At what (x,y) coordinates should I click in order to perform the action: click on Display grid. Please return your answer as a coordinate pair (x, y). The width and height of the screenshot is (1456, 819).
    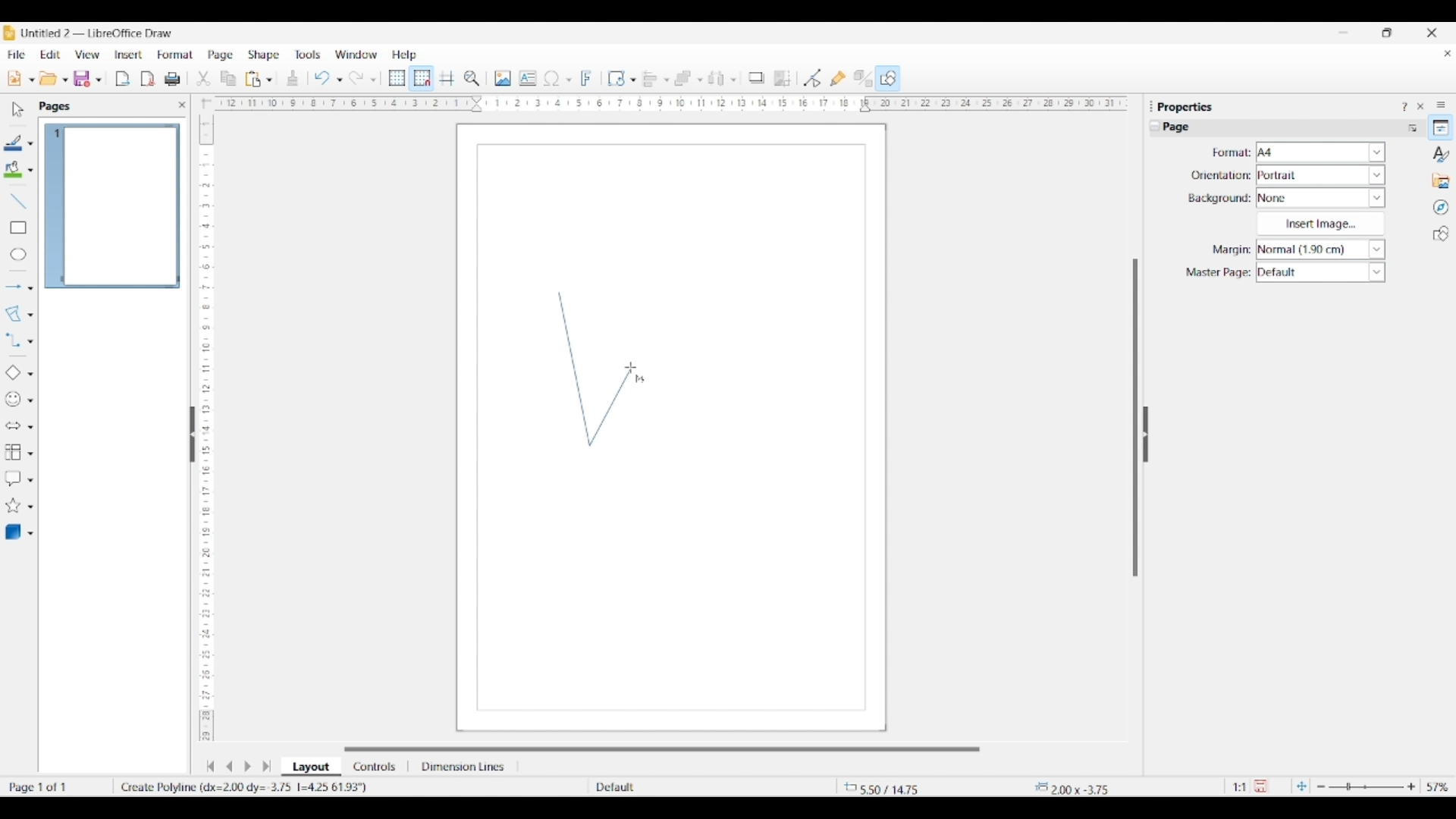
    Looking at the image, I should click on (397, 79).